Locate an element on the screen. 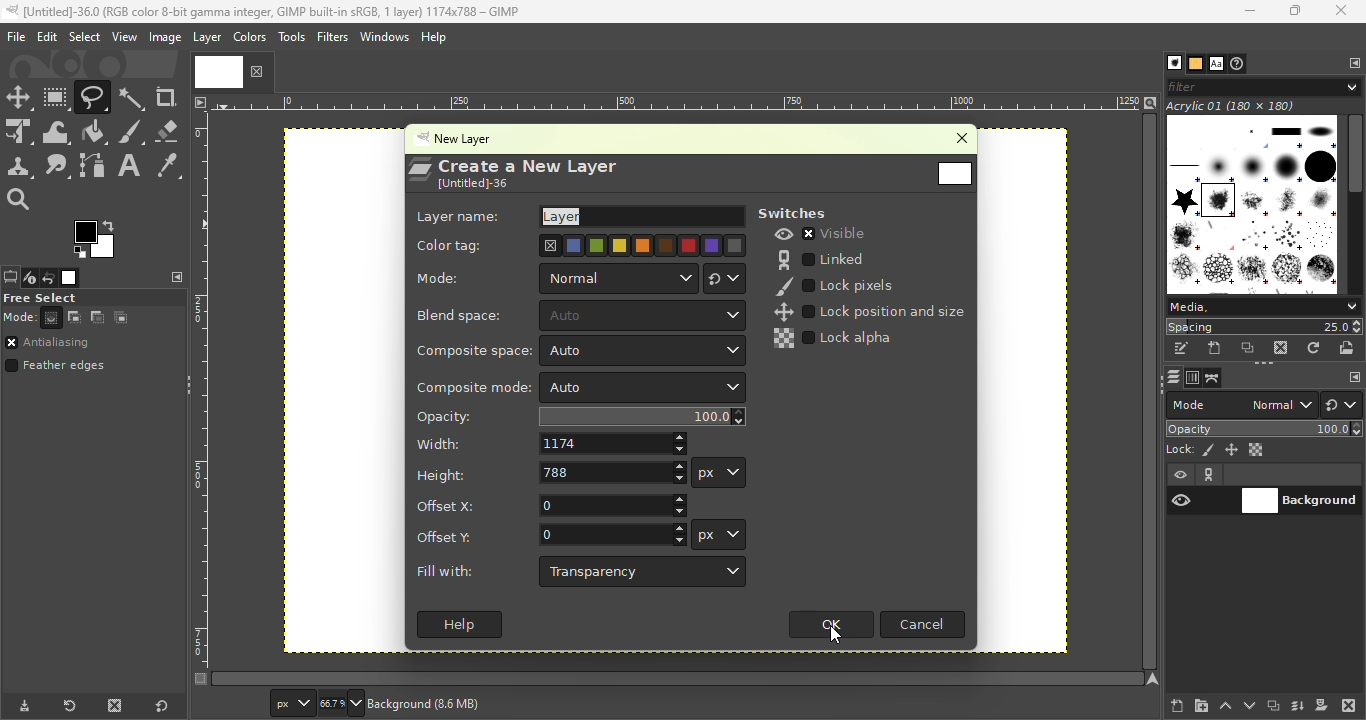 The image size is (1366, 720). Ok is located at coordinates (827, 627).